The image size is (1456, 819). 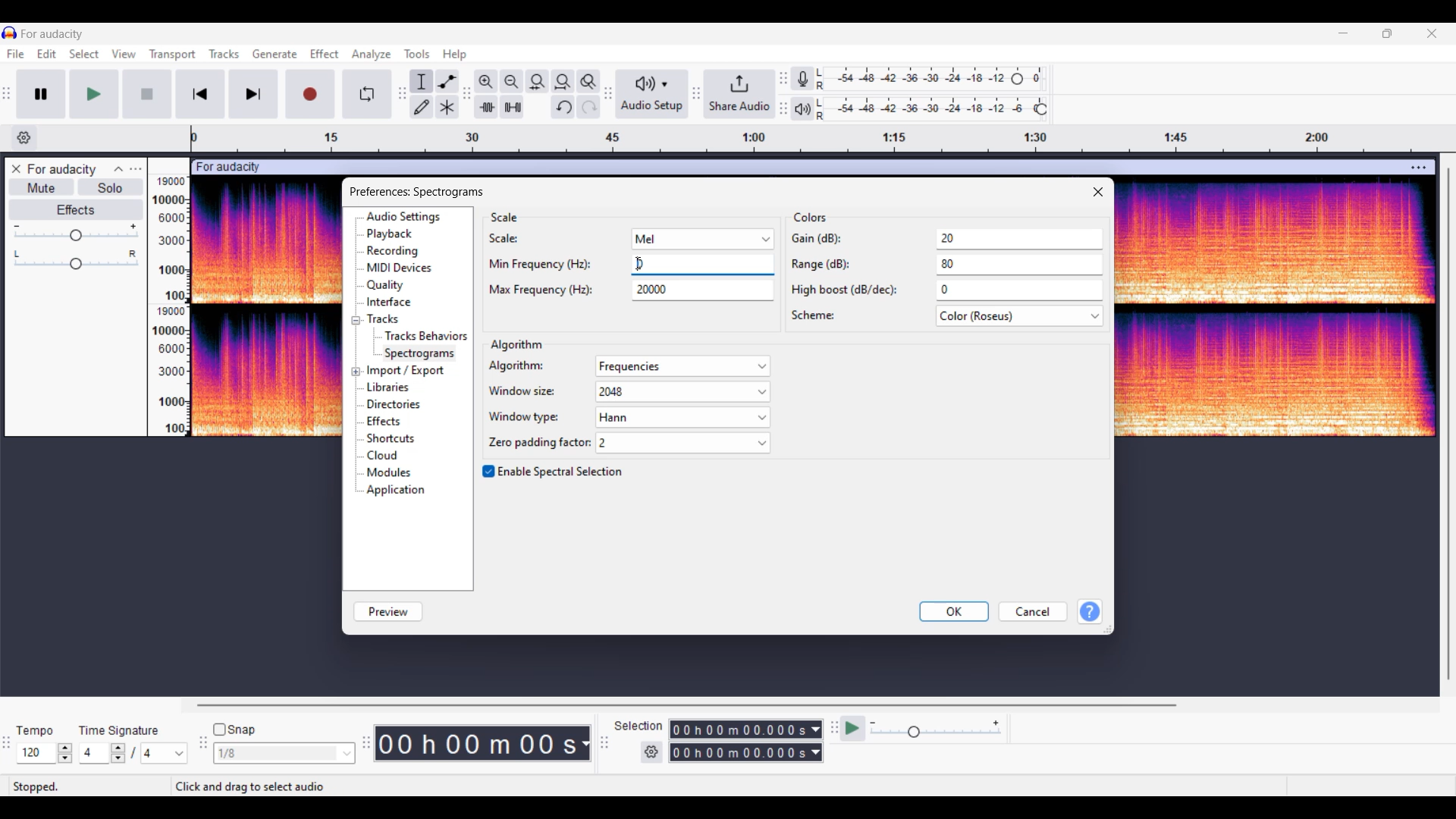 What do you see at coordinates (399, 439) in the screenshot?
I see `shortcuts` at bounding box center [399, 439].